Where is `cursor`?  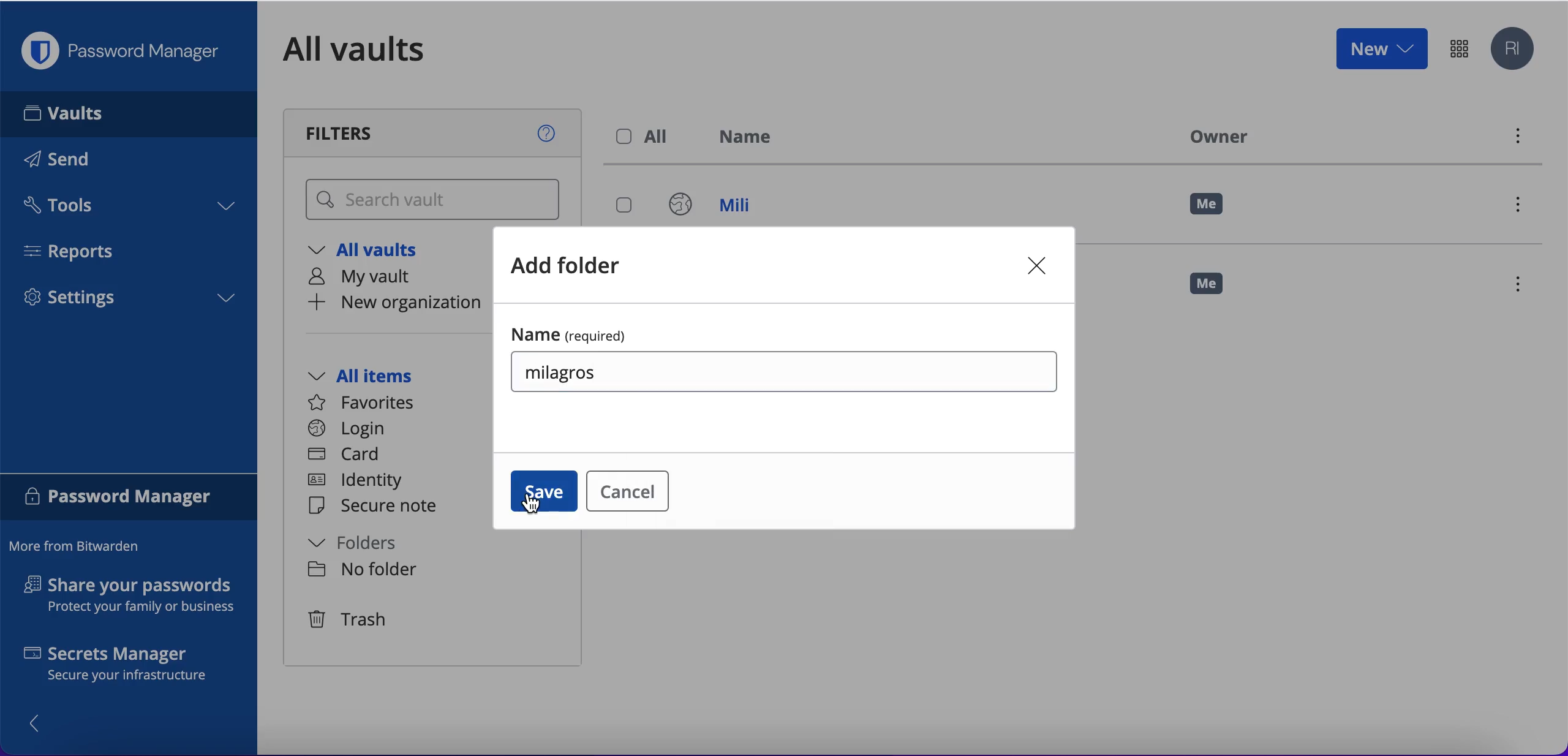 cursor is located at coordinates (538, 505).